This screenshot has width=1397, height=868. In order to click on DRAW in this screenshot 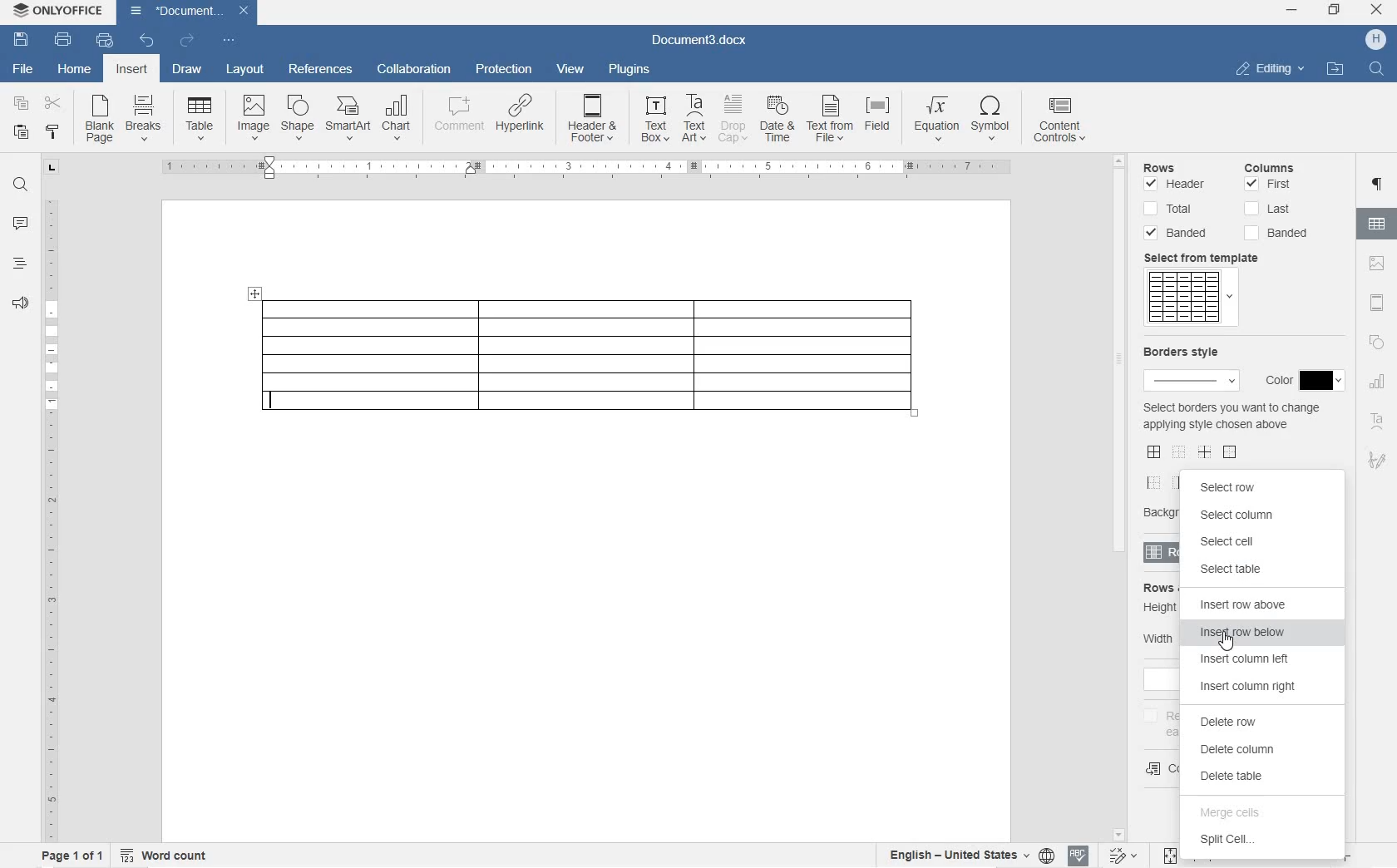, I will do `click(186, 71)`.